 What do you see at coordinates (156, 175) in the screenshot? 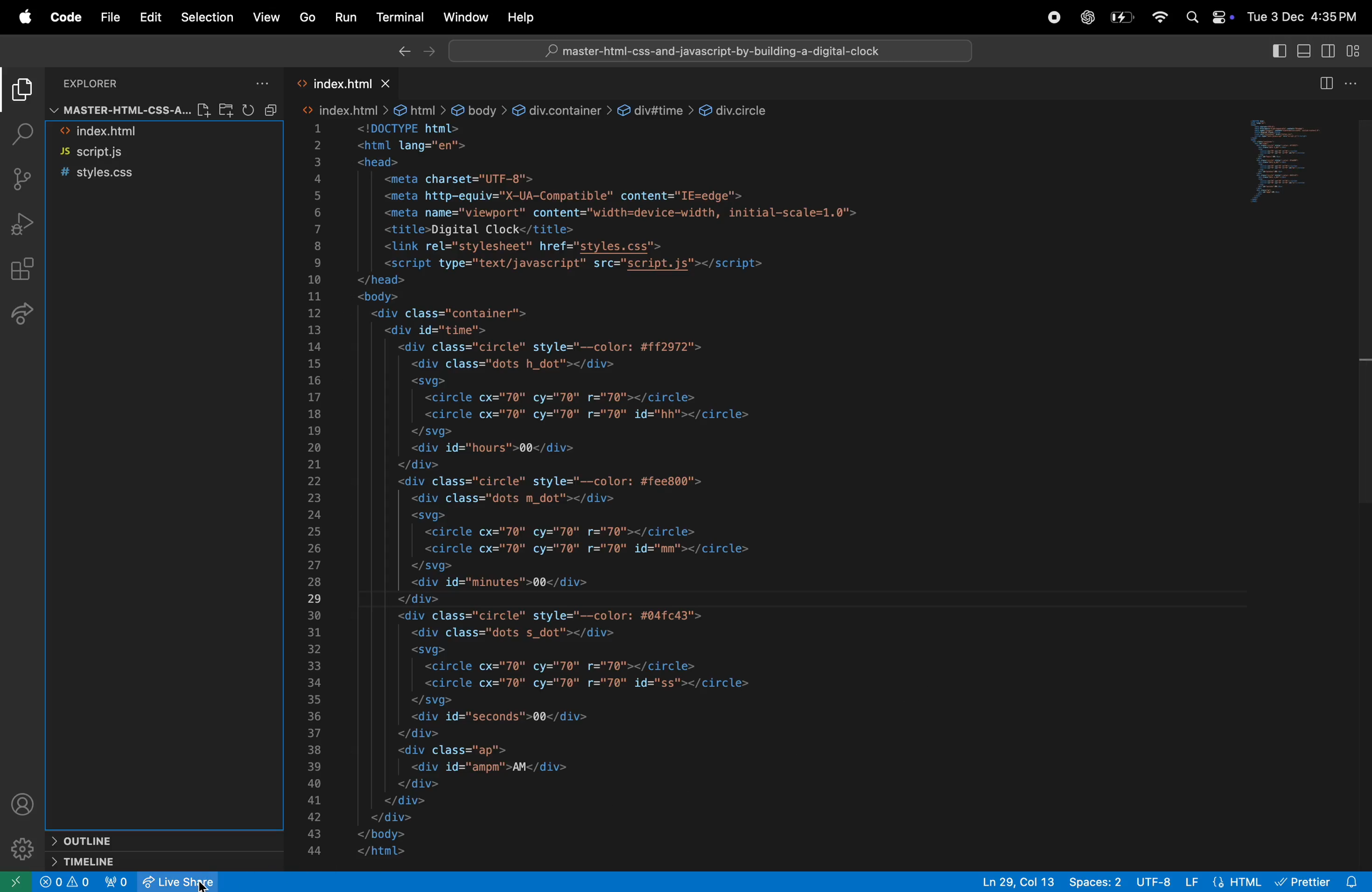
I see `style.css` at bounding box center [156, 175].